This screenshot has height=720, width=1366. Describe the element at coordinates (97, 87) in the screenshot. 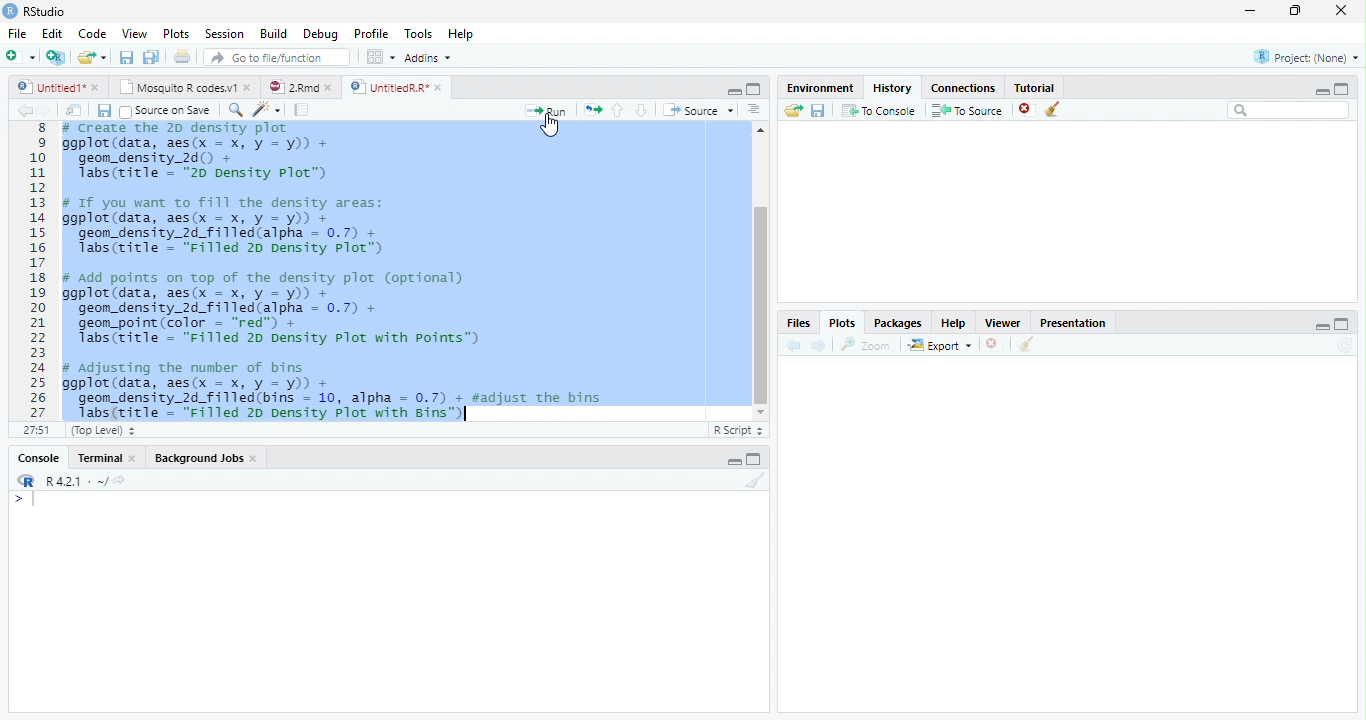

I see `close` at that location.